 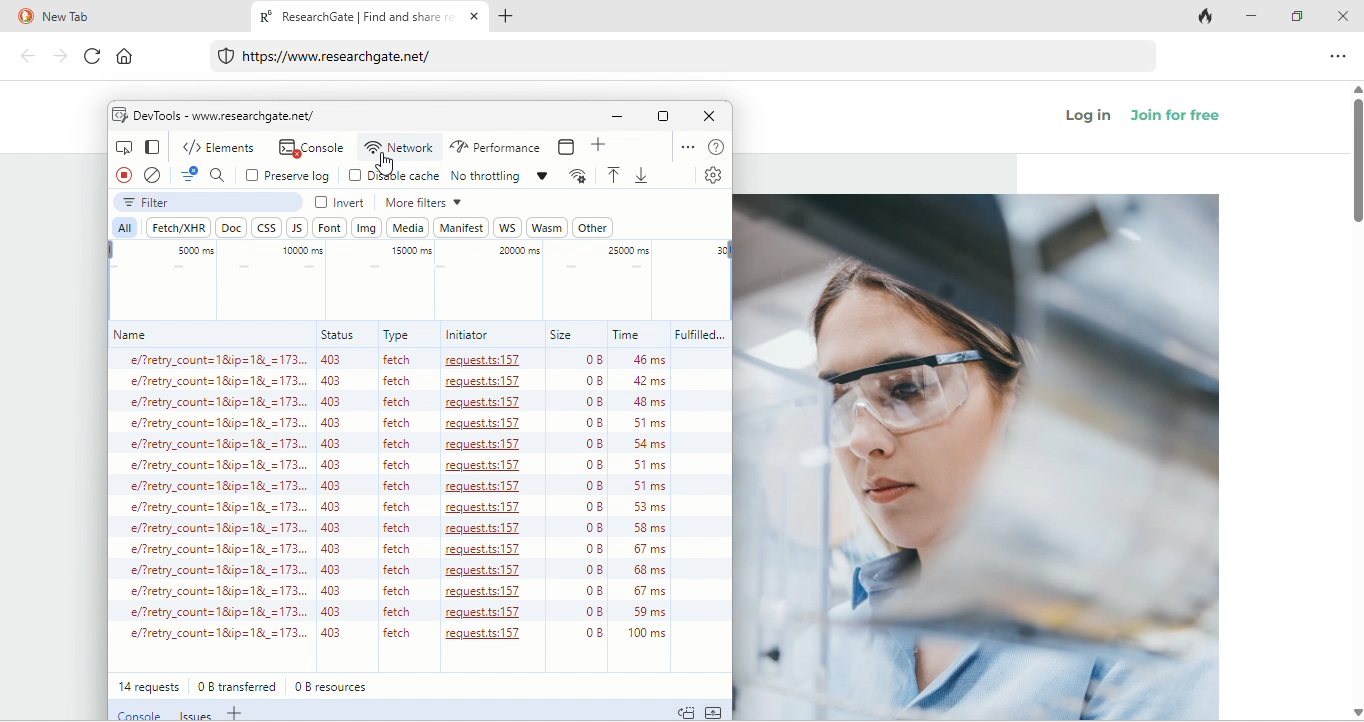 I want to click on search, so click(x=221, y=174).